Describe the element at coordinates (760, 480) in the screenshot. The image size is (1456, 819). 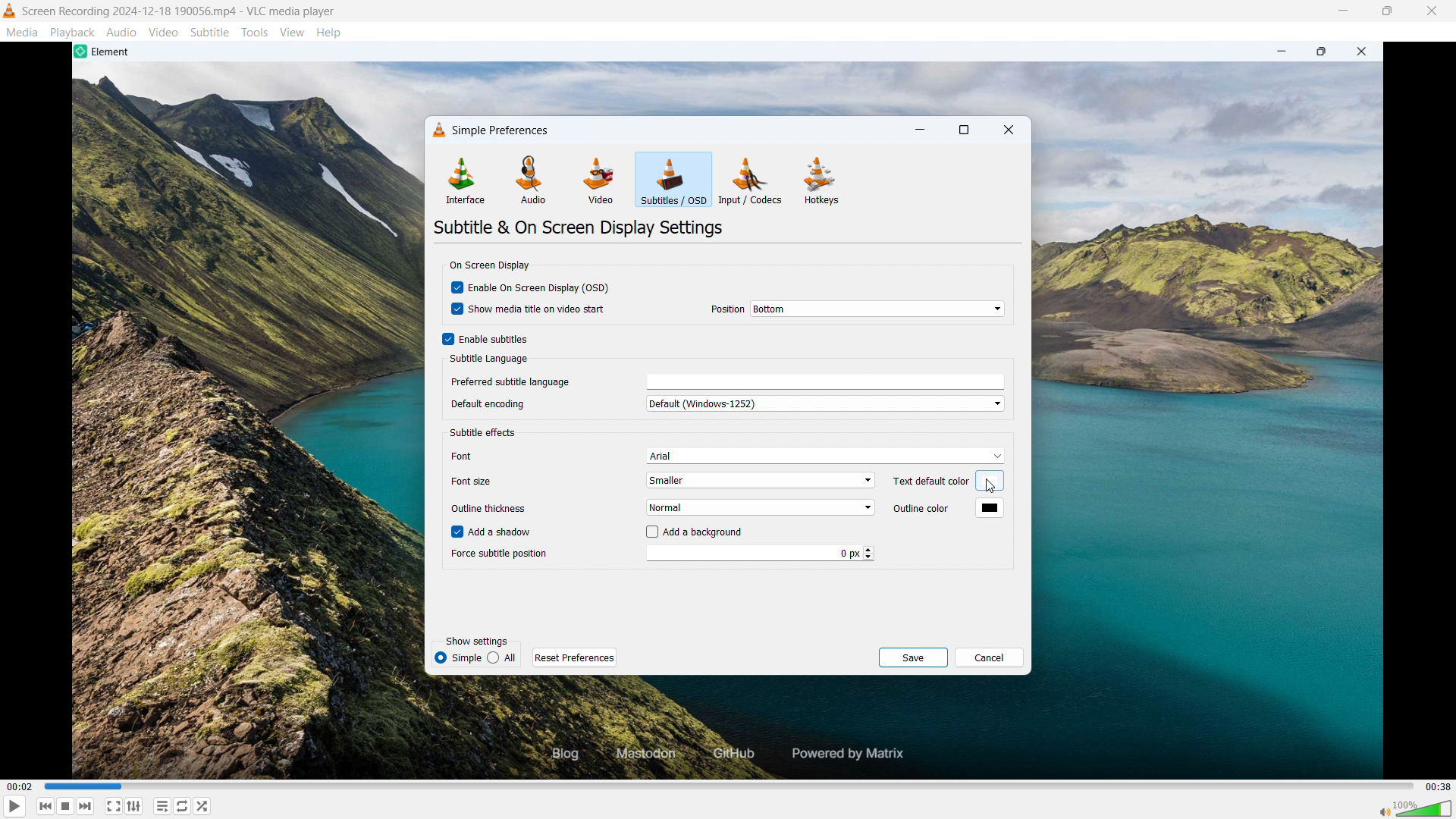
I see `Select subtitle font size ` at that location.